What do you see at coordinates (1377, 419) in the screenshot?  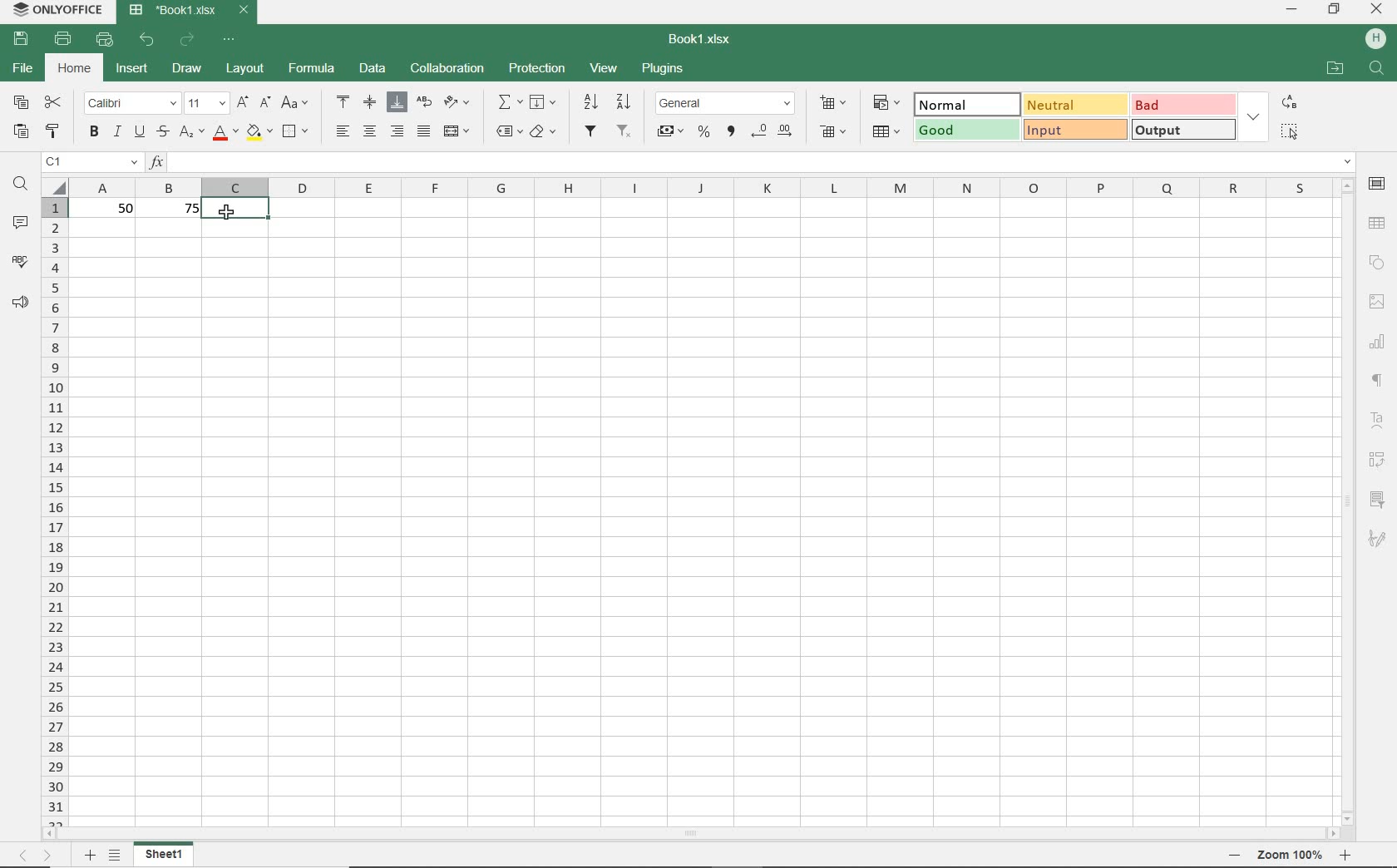 I see `TextArt` at bounding box center [1377, 419].